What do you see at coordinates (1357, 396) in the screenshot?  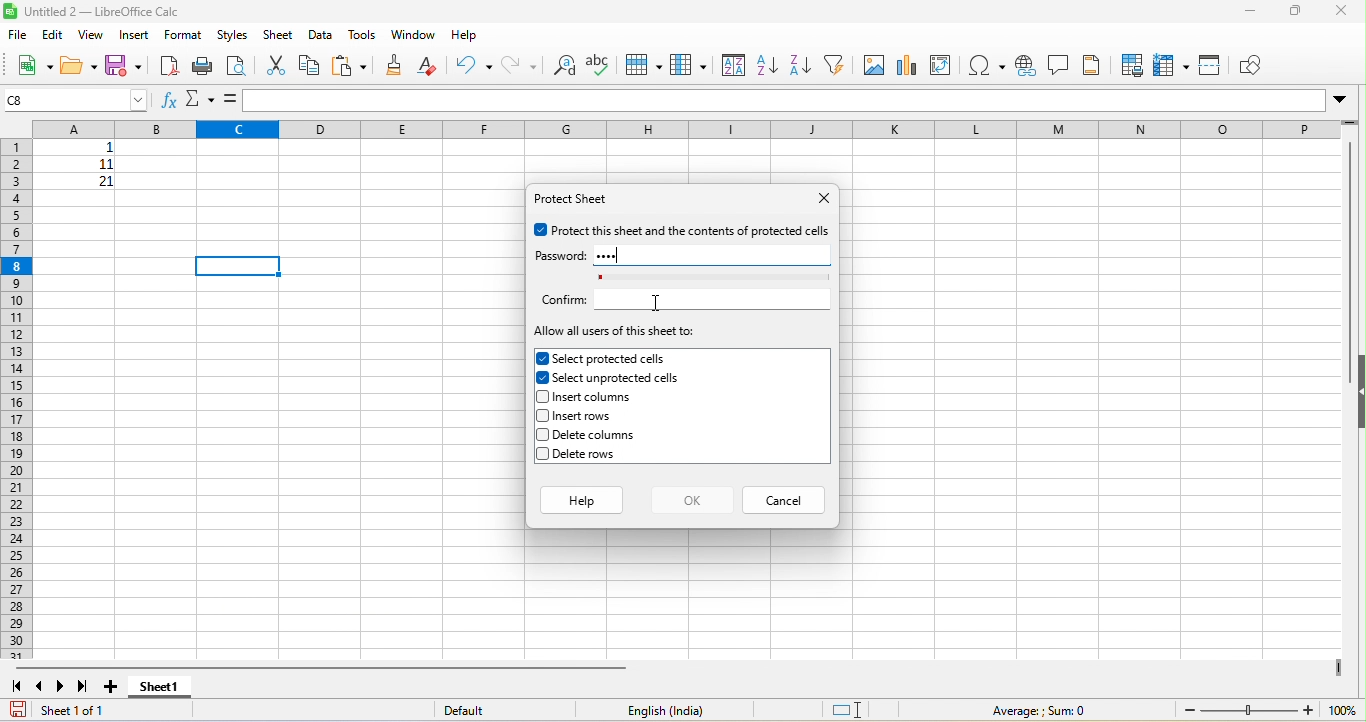 I see `hide` at bounding box center [1357, 396].